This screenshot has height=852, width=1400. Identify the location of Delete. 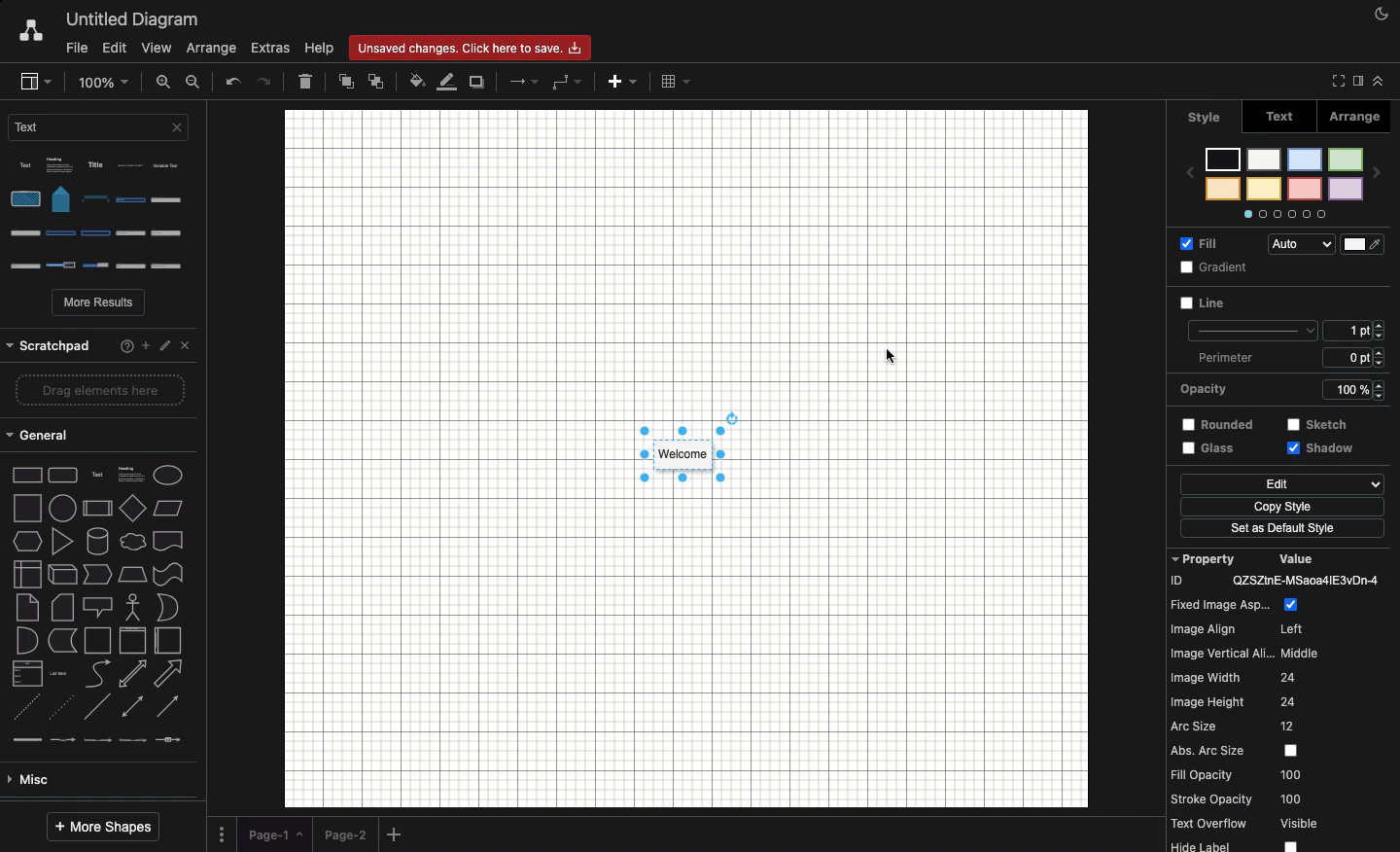
(305, 81).